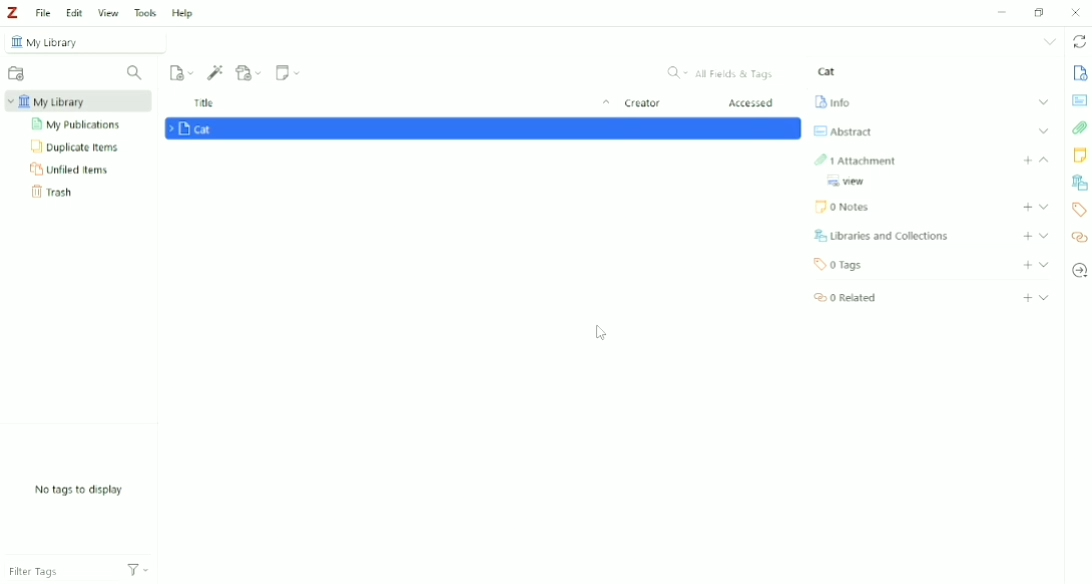 This screenshot has width=1092, height=584. What do you see at coordinates (1027, 235) in the screenshot?
I see `Add` at bounding box center [1027, 235].